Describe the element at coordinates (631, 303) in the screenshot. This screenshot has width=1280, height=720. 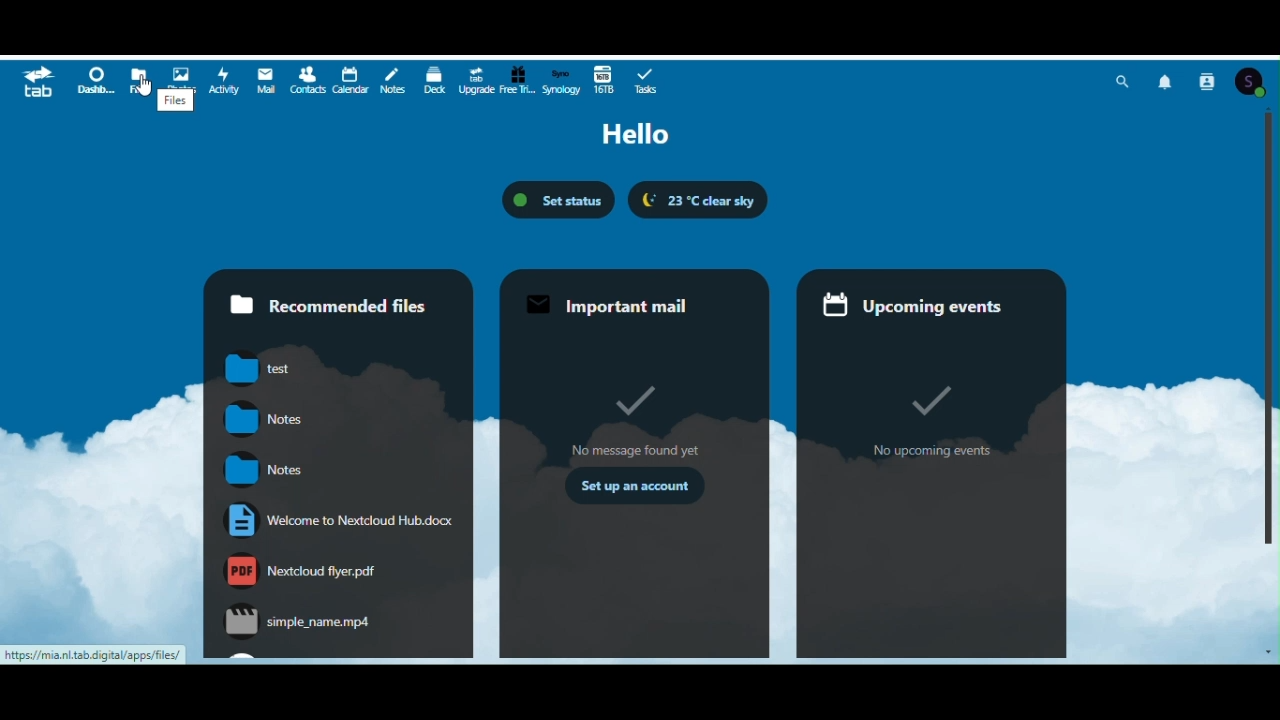
I see `Important mail` at that location.